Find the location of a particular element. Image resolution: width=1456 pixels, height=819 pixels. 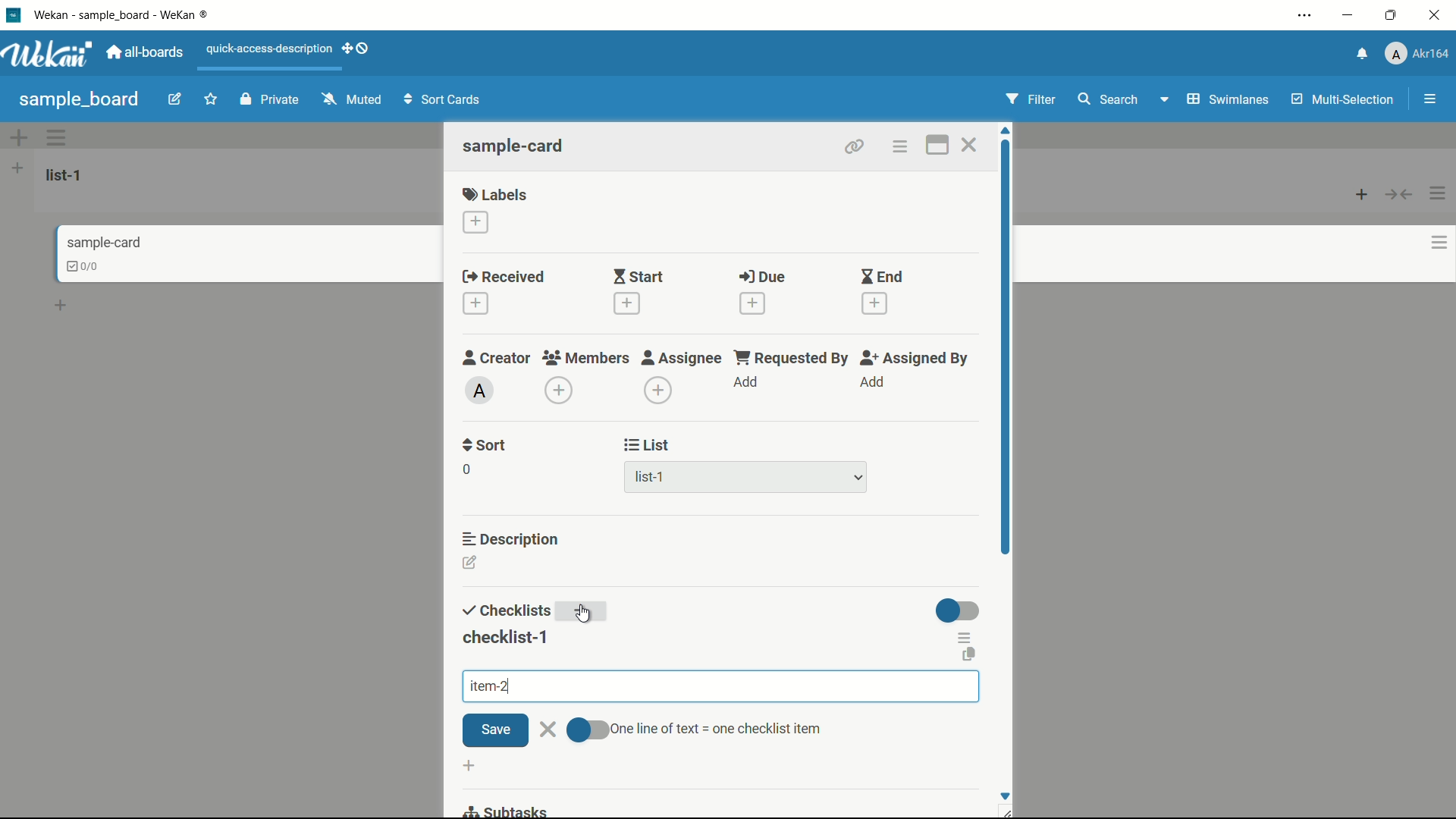

add date is located at coordinates (752, 303).